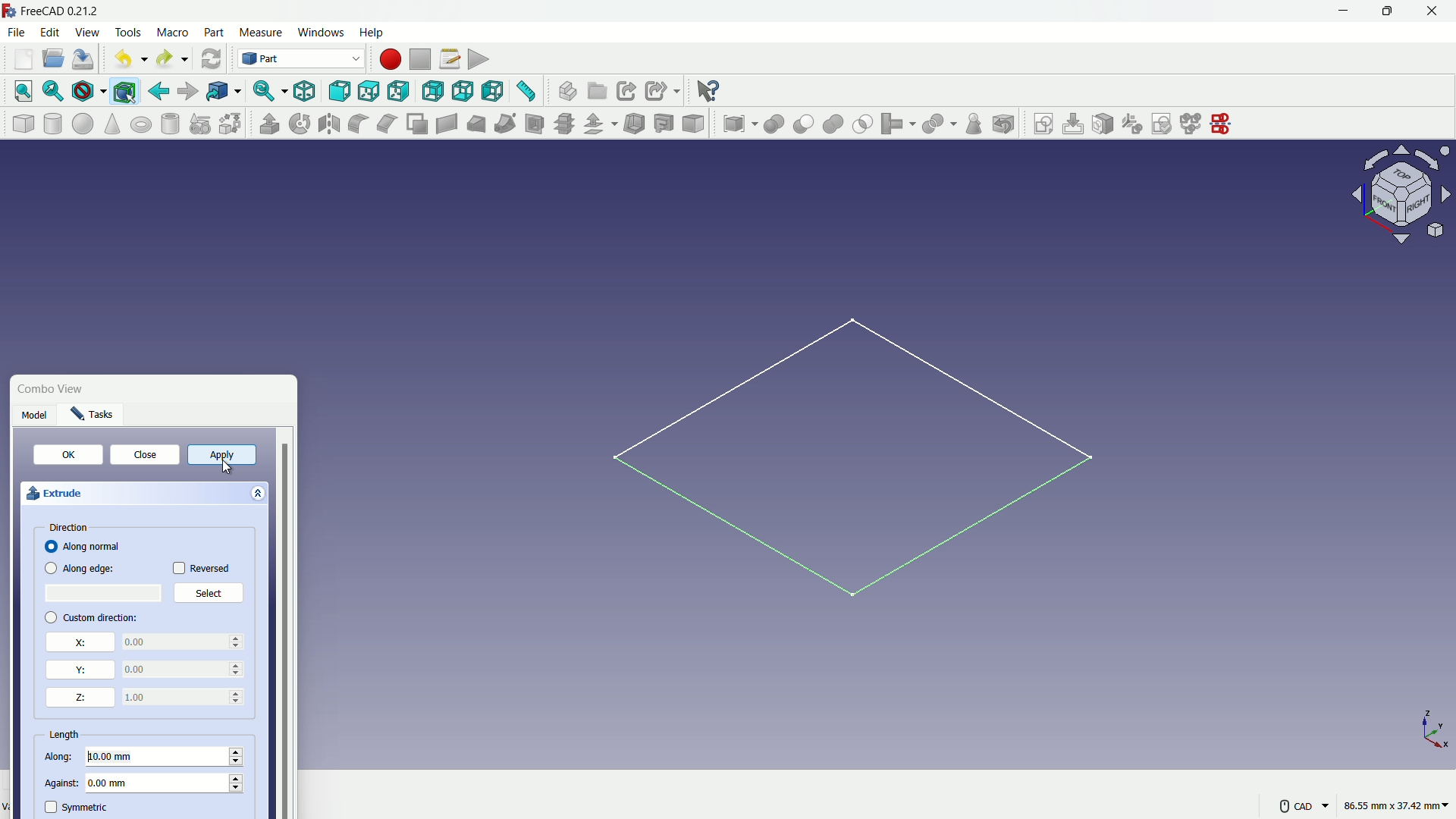 This screenshot has height=819, width=1456. Describe the element at coordinates (212, 568) in the screenshot. I see `Reversed` at that location.